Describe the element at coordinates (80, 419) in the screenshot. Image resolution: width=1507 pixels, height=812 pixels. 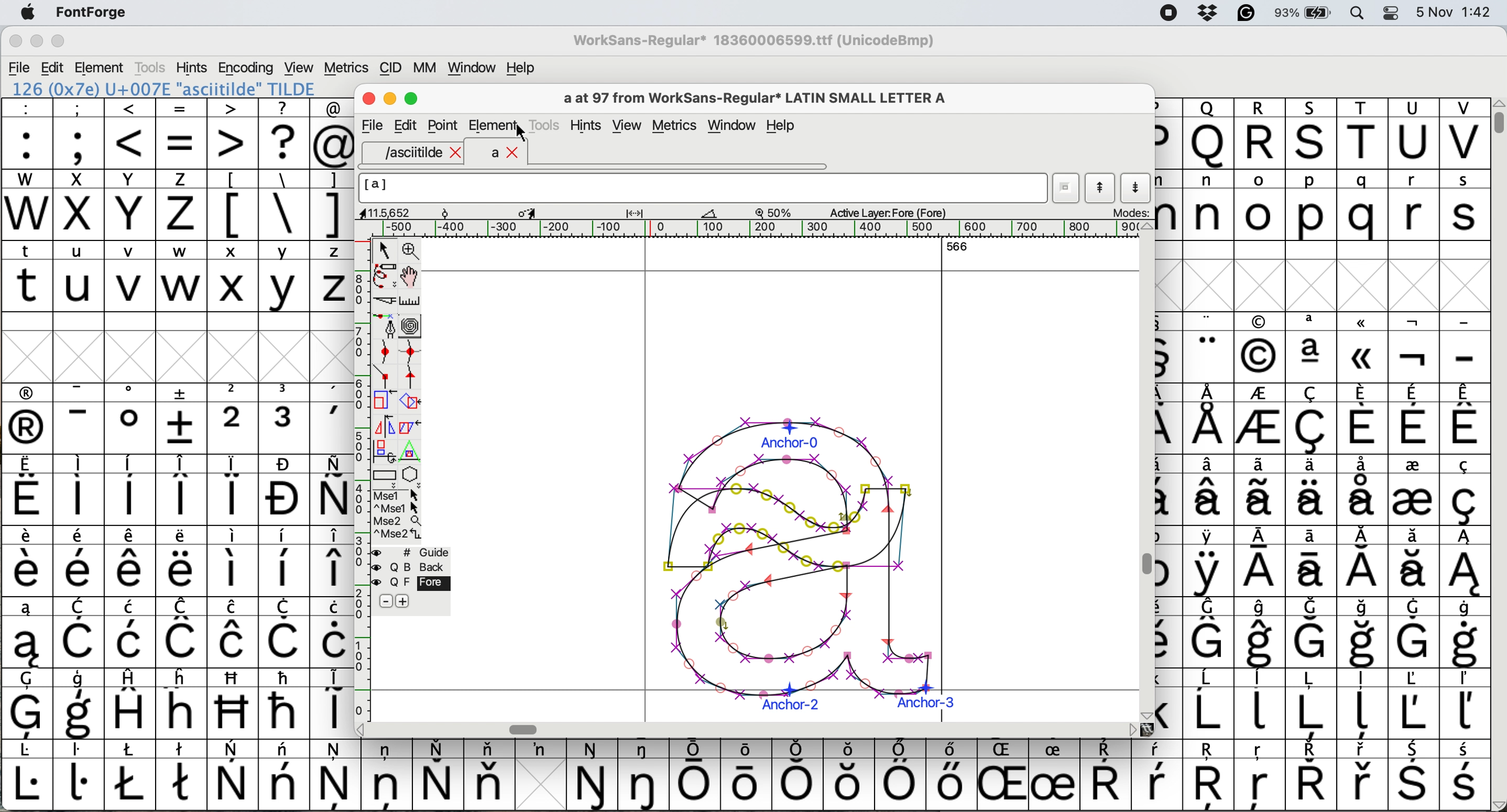
I see `symbol` at that location.